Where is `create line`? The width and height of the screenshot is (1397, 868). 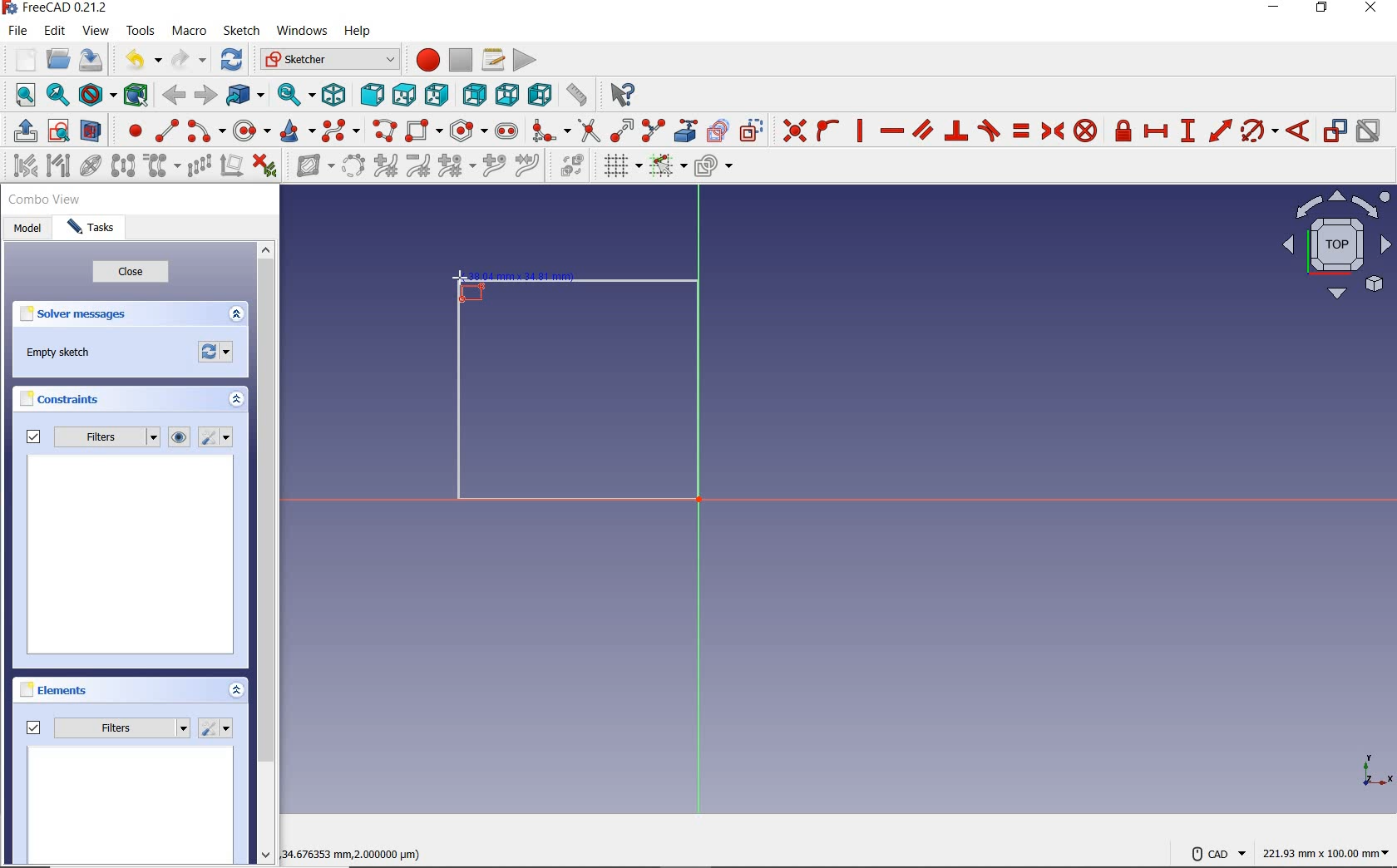
create line is located at coordinates (166, 131).